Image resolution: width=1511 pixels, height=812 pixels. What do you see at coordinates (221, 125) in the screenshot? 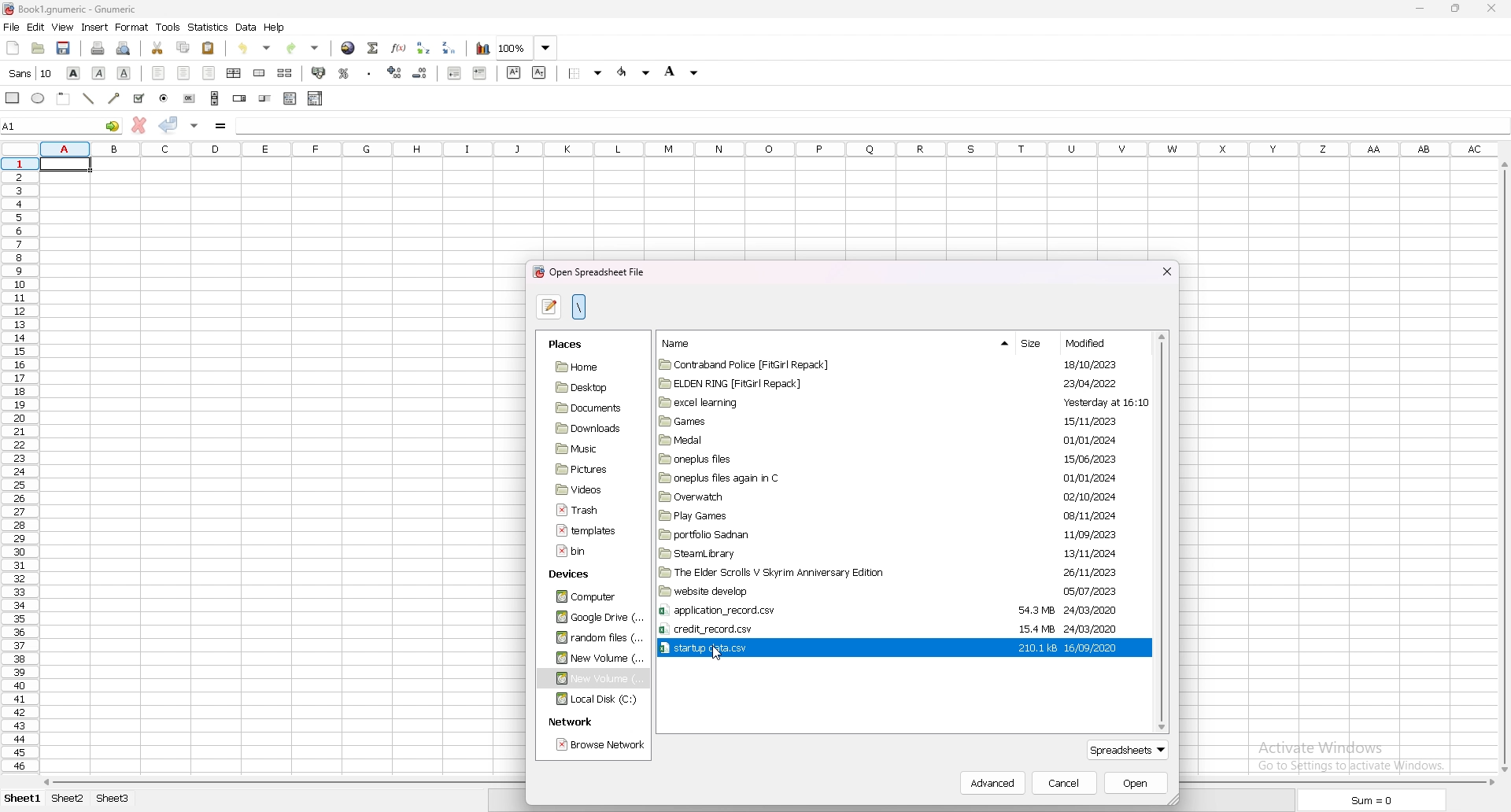
I see `formula` at bounding box center [221, 125].